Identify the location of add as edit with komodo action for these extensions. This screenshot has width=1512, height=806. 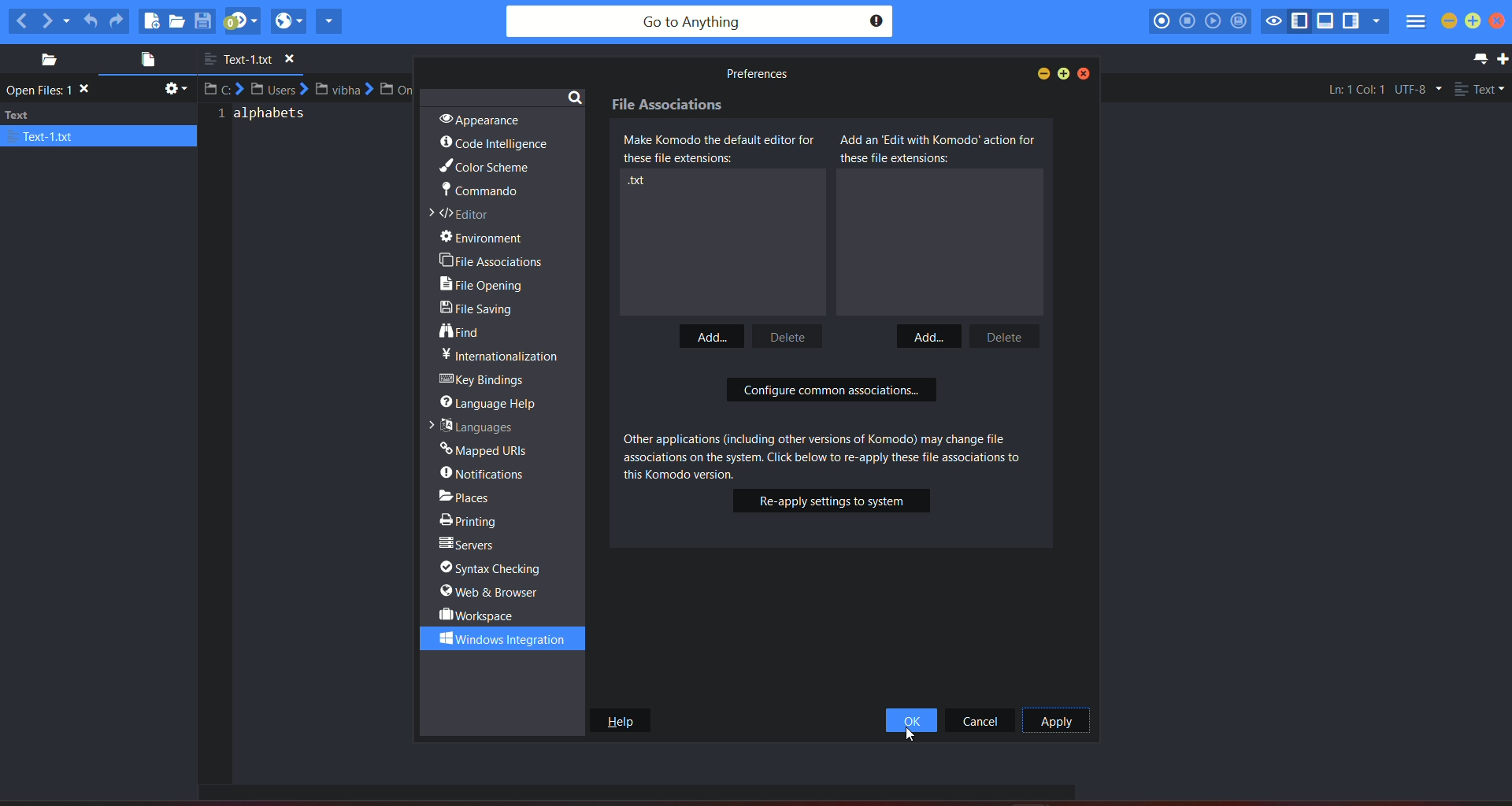
(939, 149).